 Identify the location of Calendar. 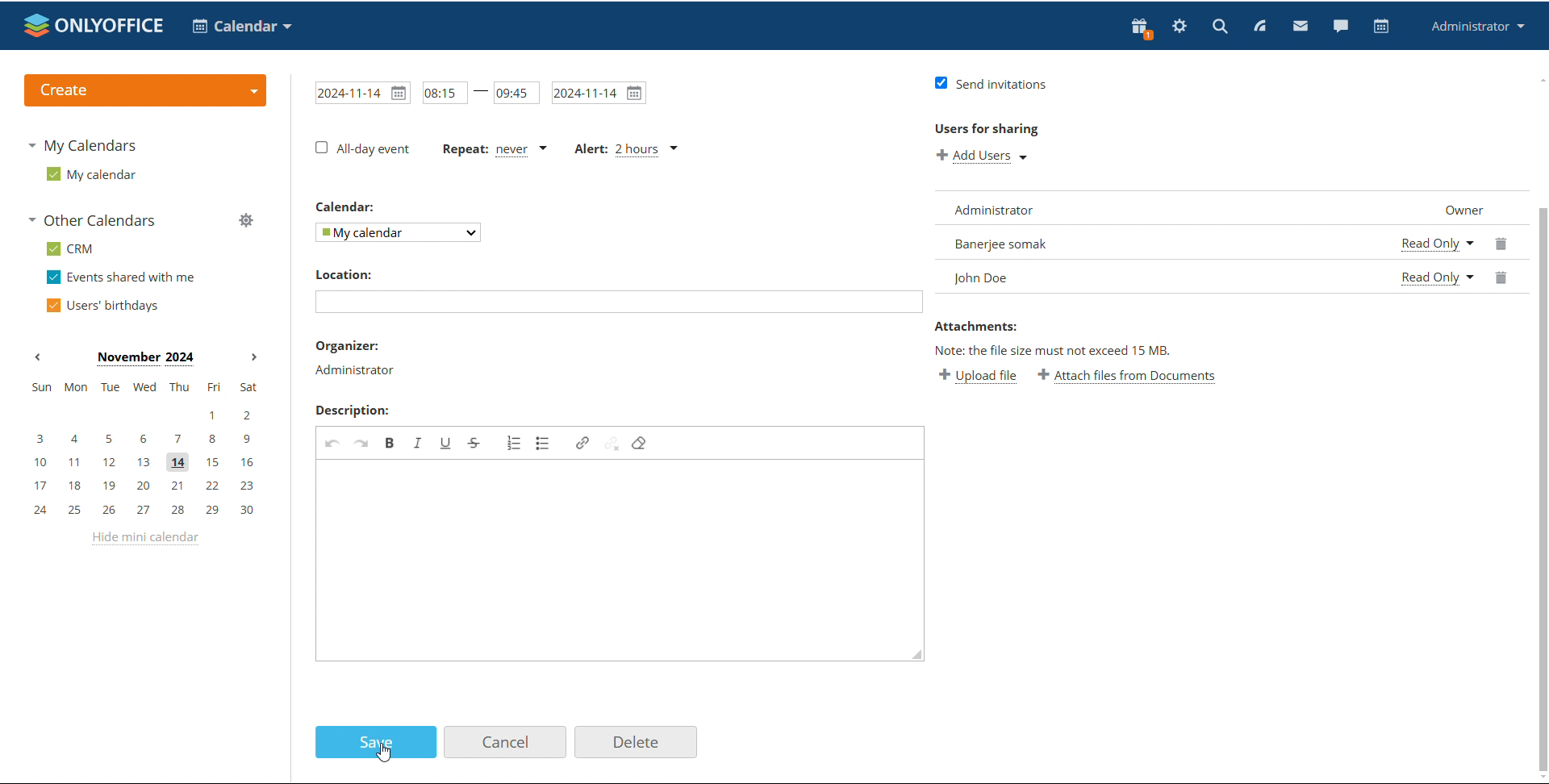
(347, 207).